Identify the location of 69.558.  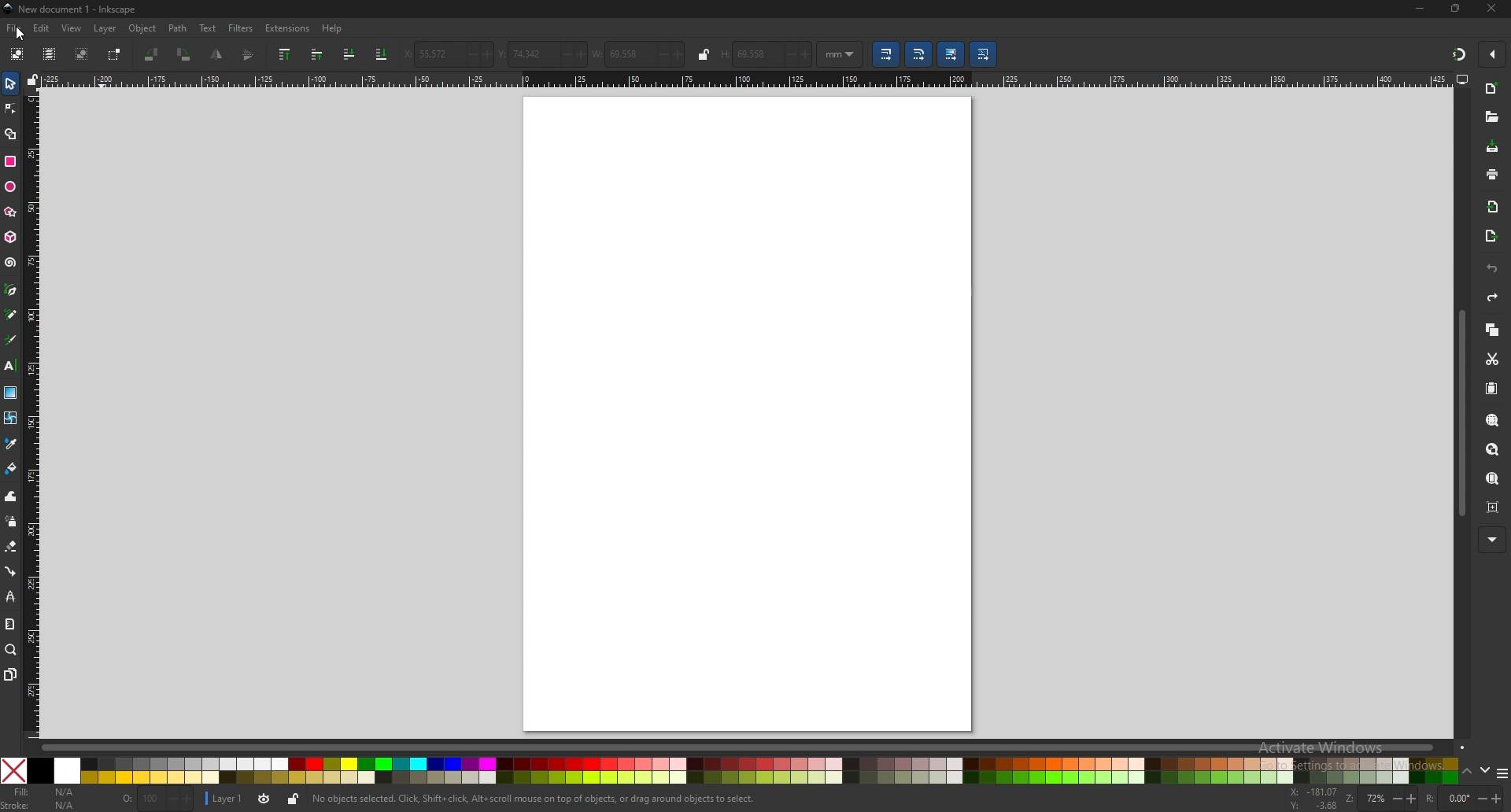
(755, 55).